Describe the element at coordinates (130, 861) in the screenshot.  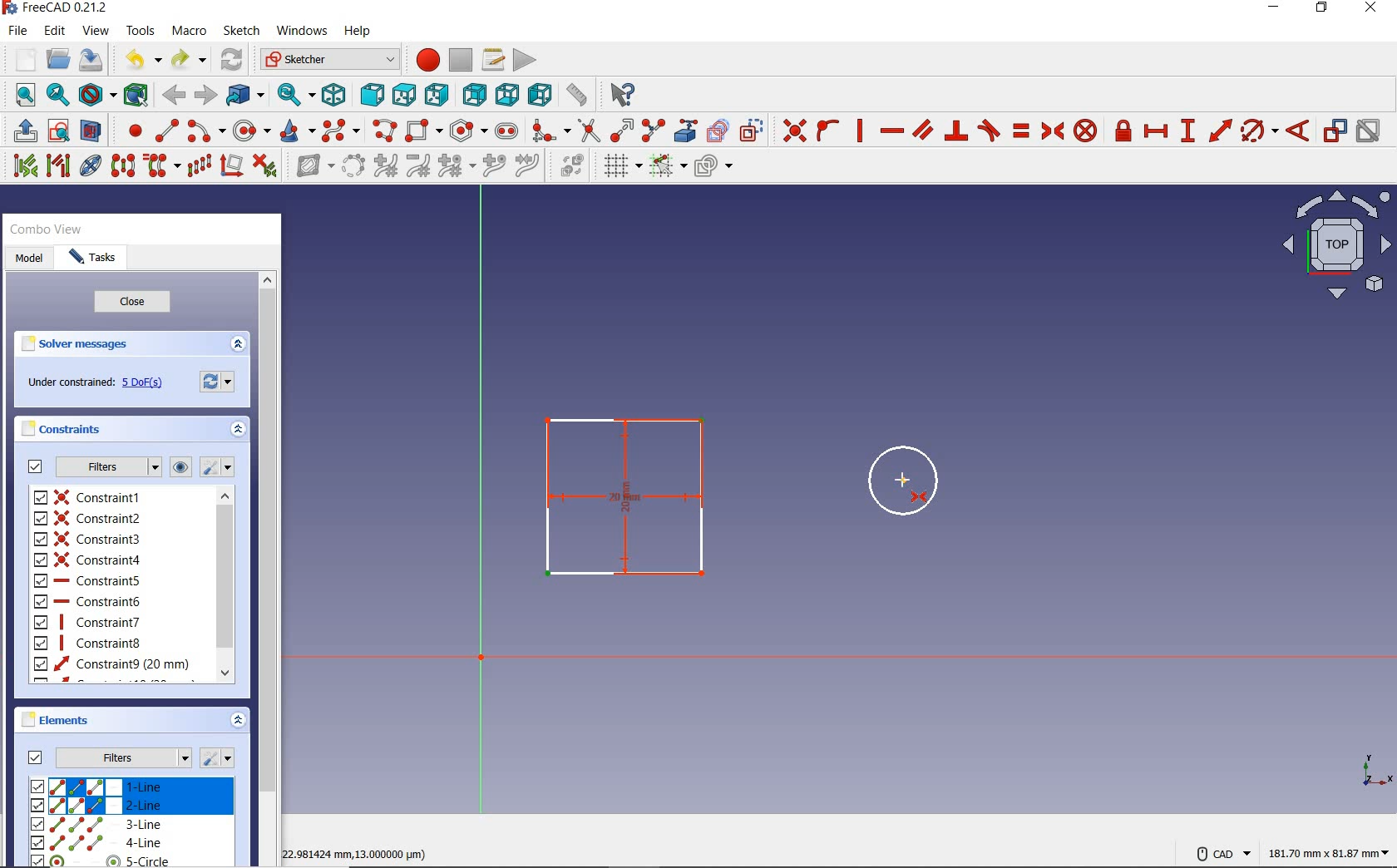
I see `5-line` at that location.